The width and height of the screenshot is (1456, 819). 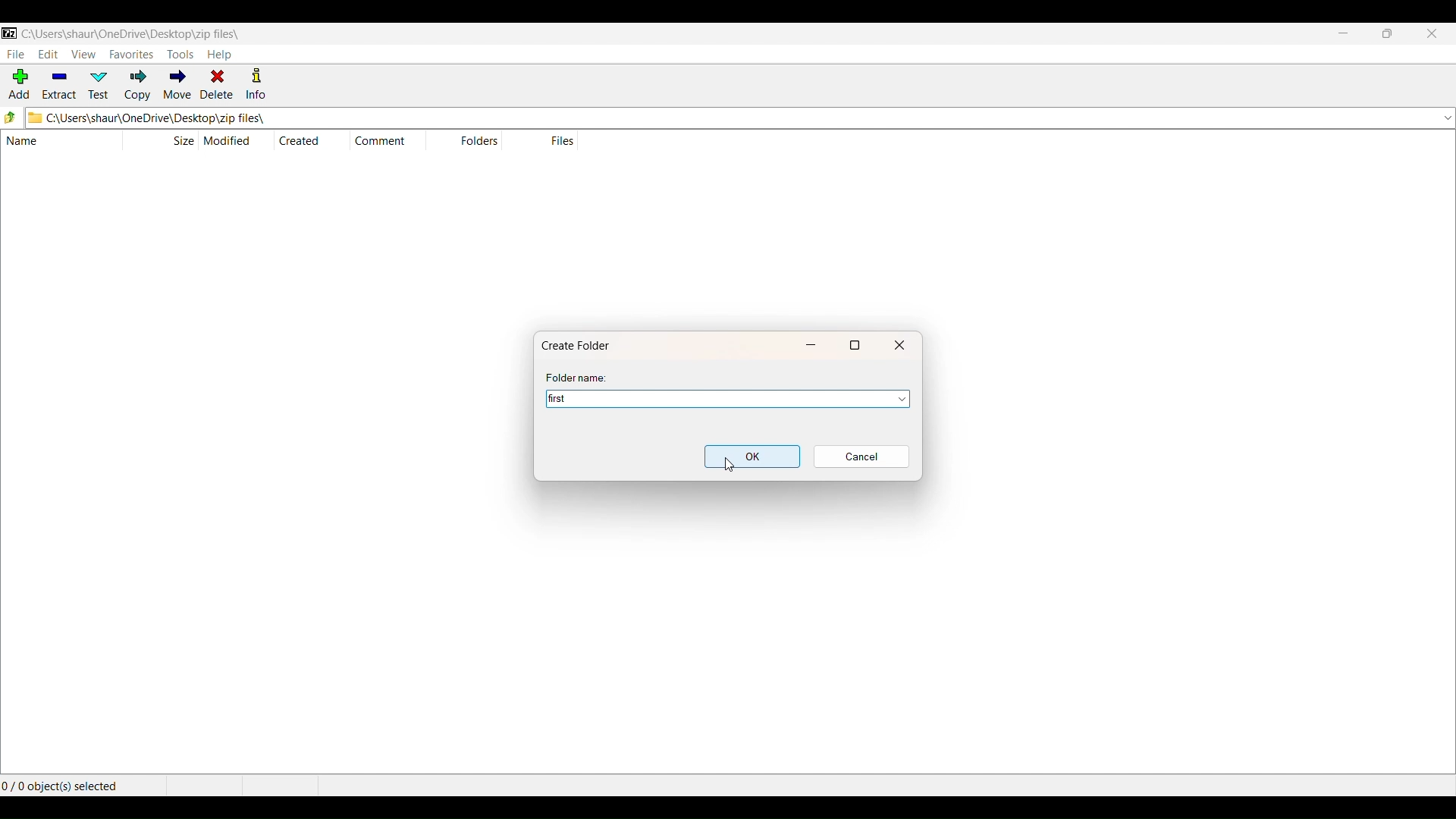 I want to click on MAXIMIZE, so click(x=1387, y=35).